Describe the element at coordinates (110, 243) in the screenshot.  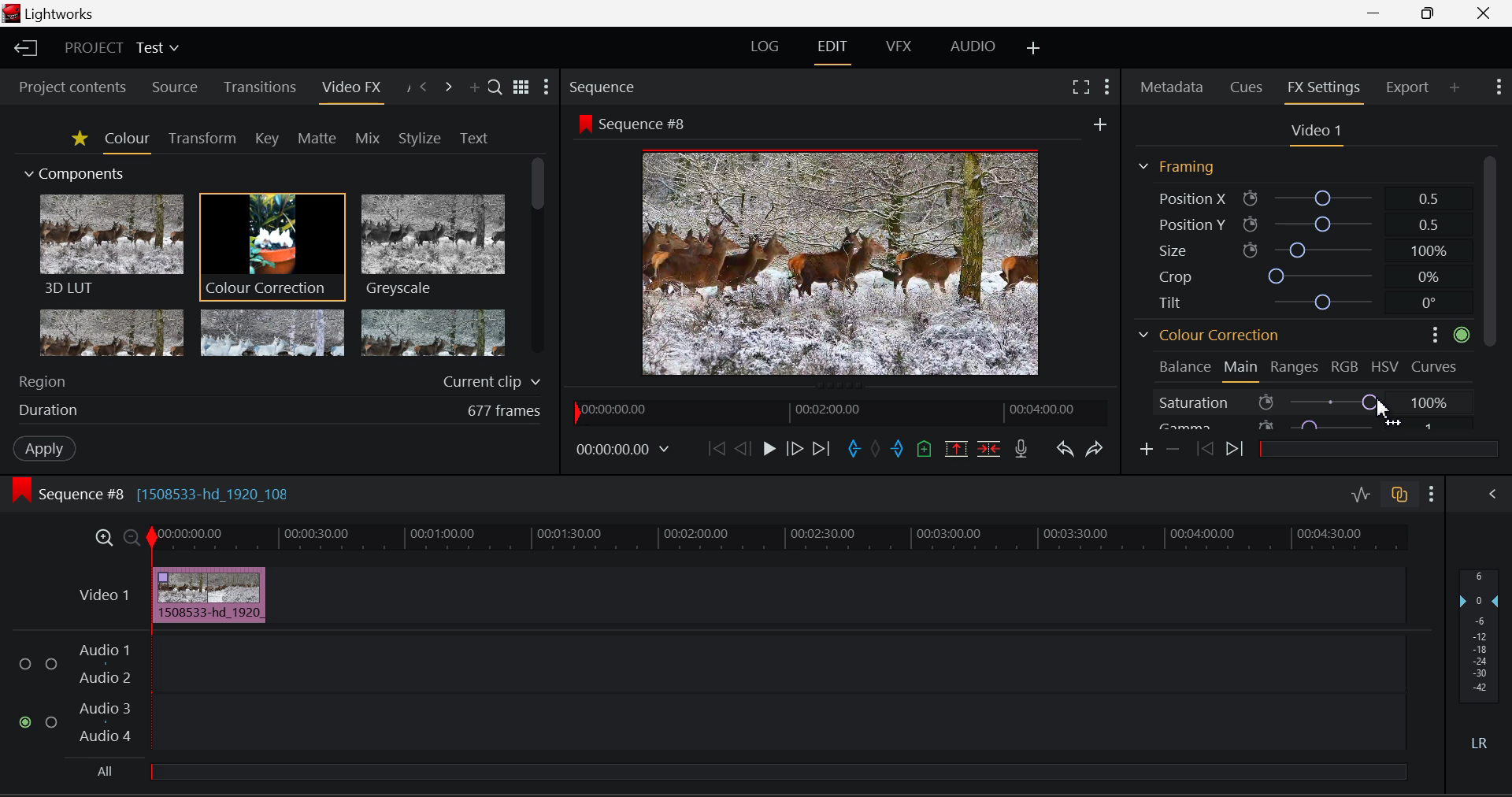
I see `3D LUT` at that location.